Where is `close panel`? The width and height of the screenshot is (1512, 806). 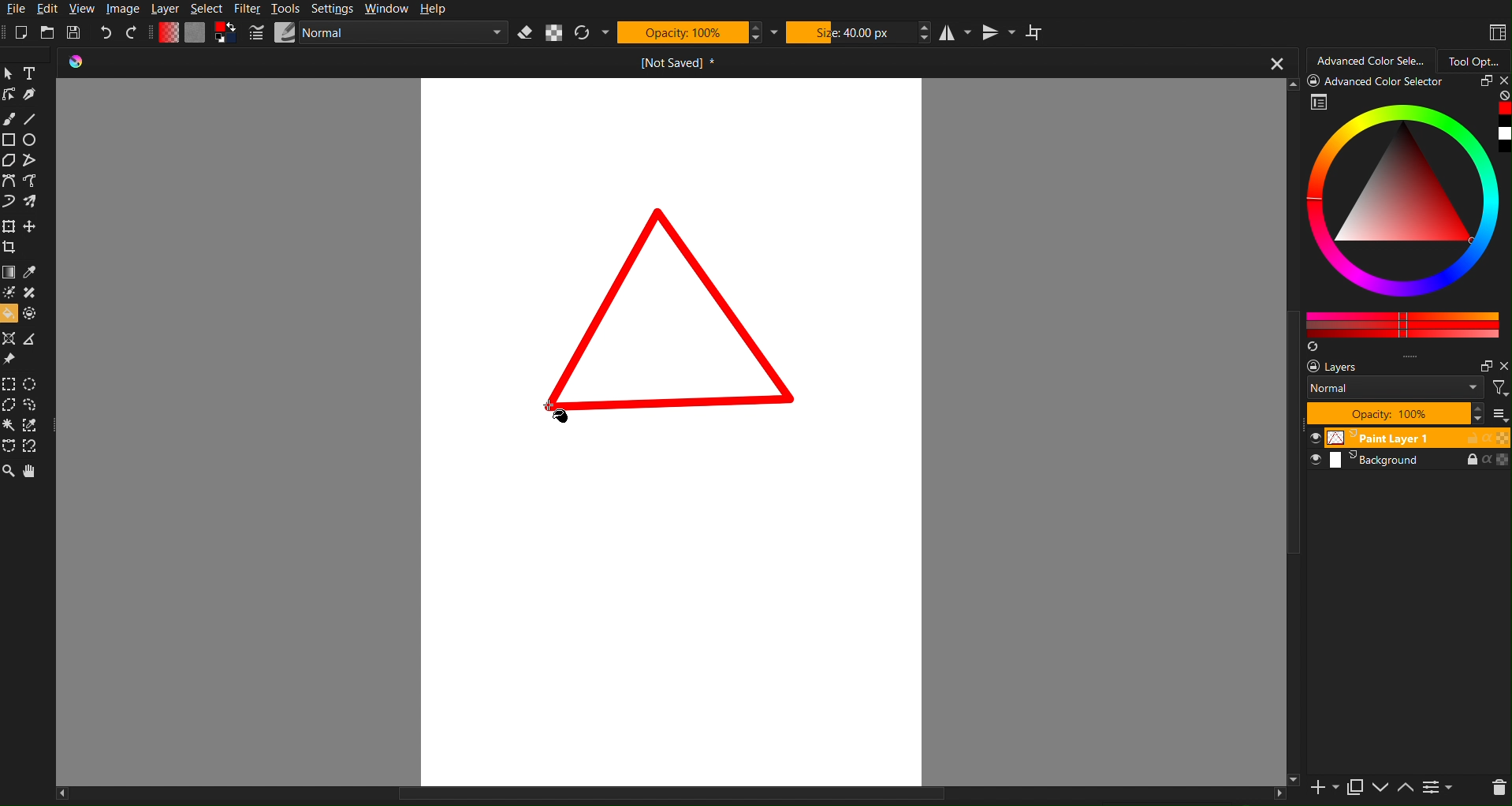 close panel is located at coordinates (1502, 82).